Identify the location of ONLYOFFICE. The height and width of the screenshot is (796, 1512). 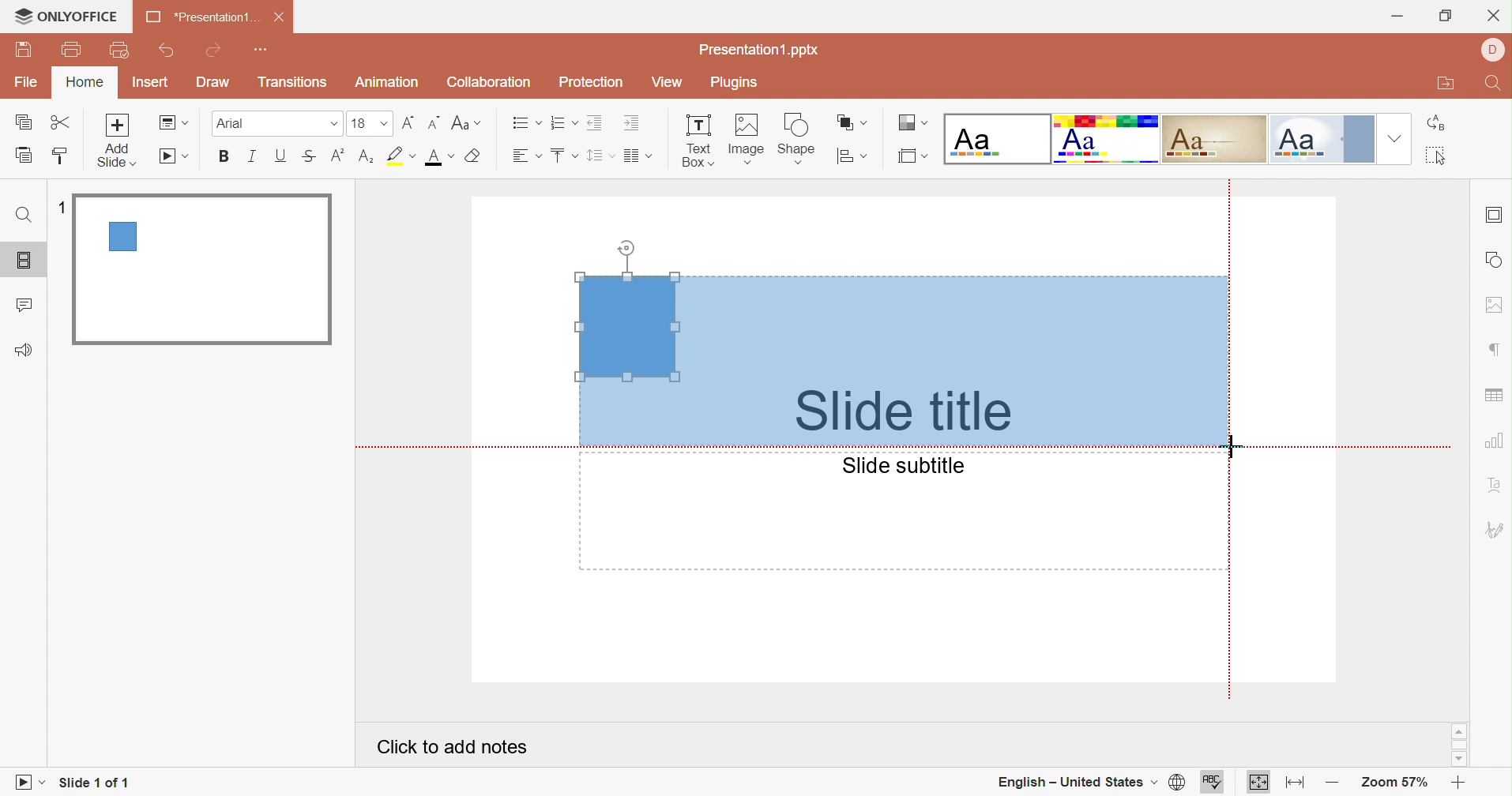
(66, 14).